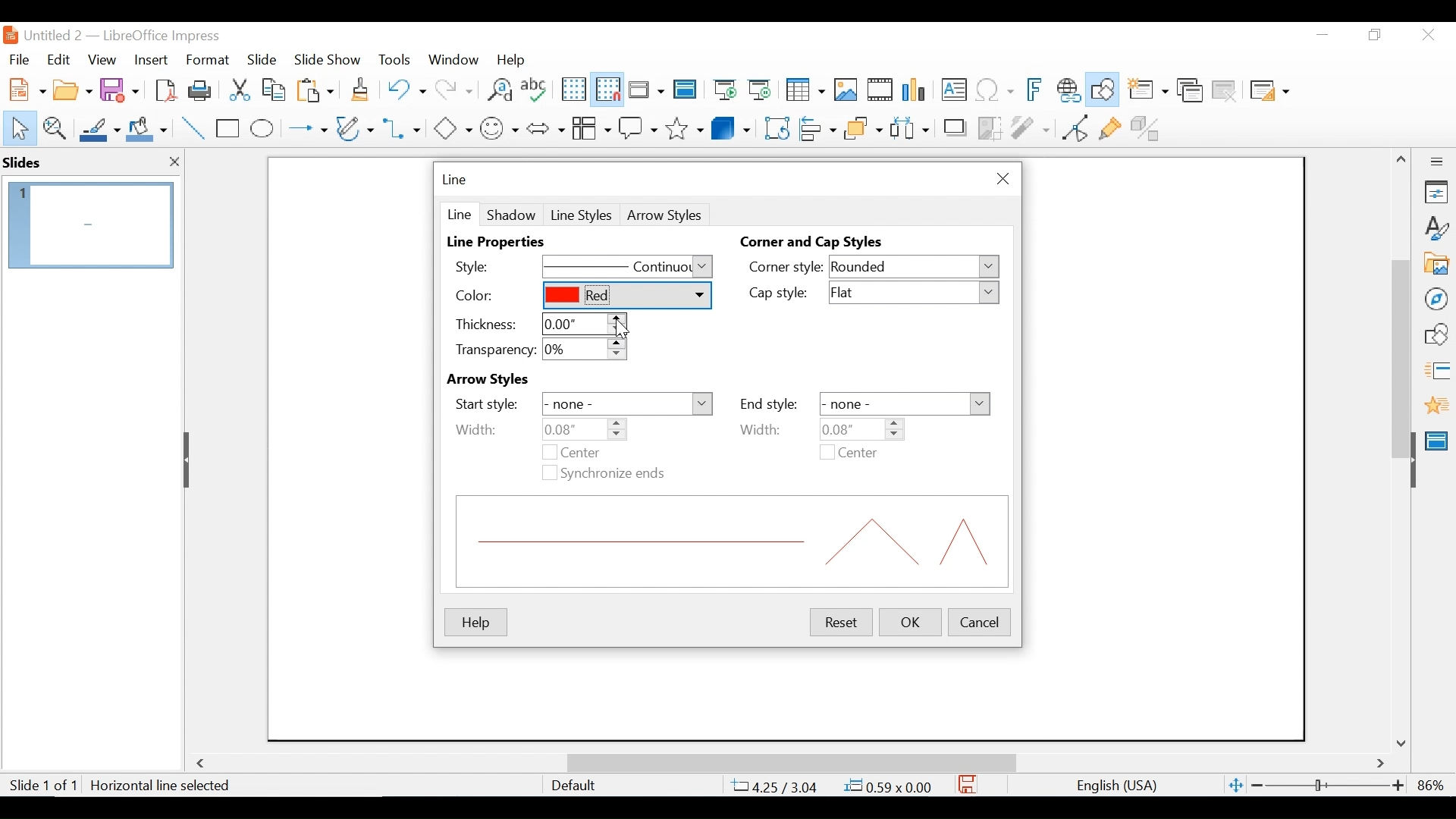  I want to click on Open, so click(72, 88).